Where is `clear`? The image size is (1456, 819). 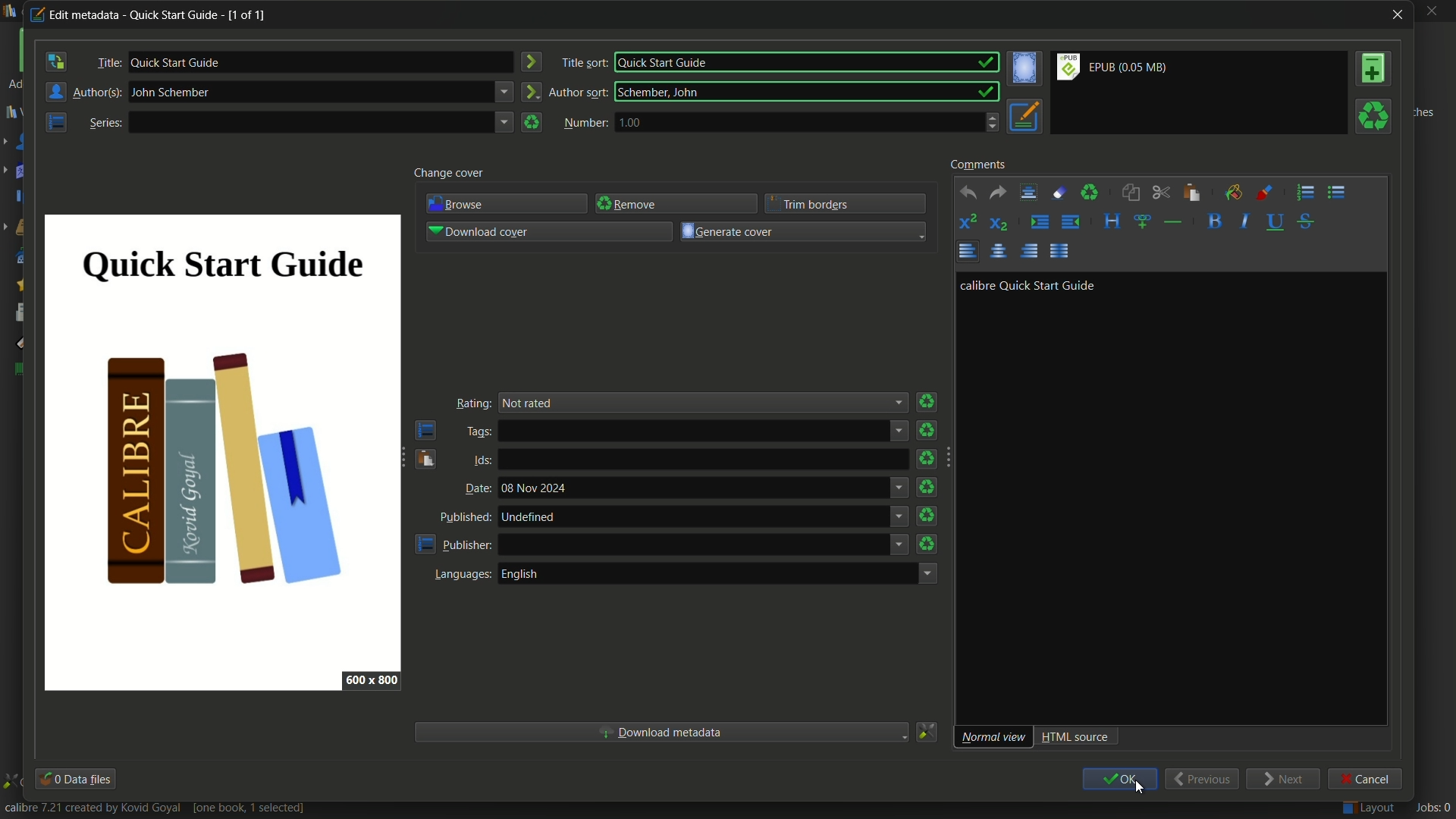
clear is located at coordinates (1090, 193).